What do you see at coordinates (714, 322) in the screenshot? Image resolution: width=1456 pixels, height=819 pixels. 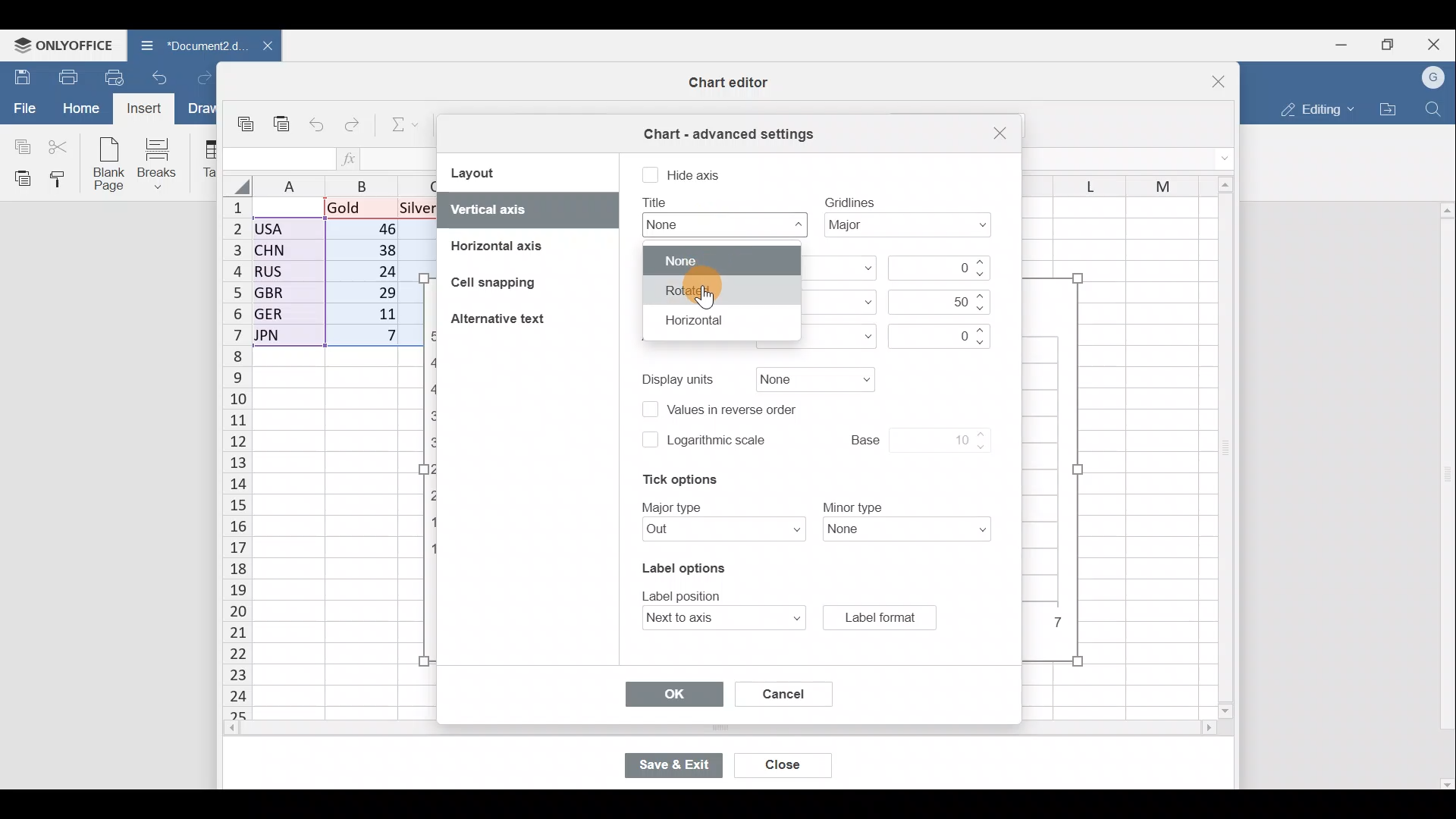 I see `Horizontal` at bounding box center [714, 322].